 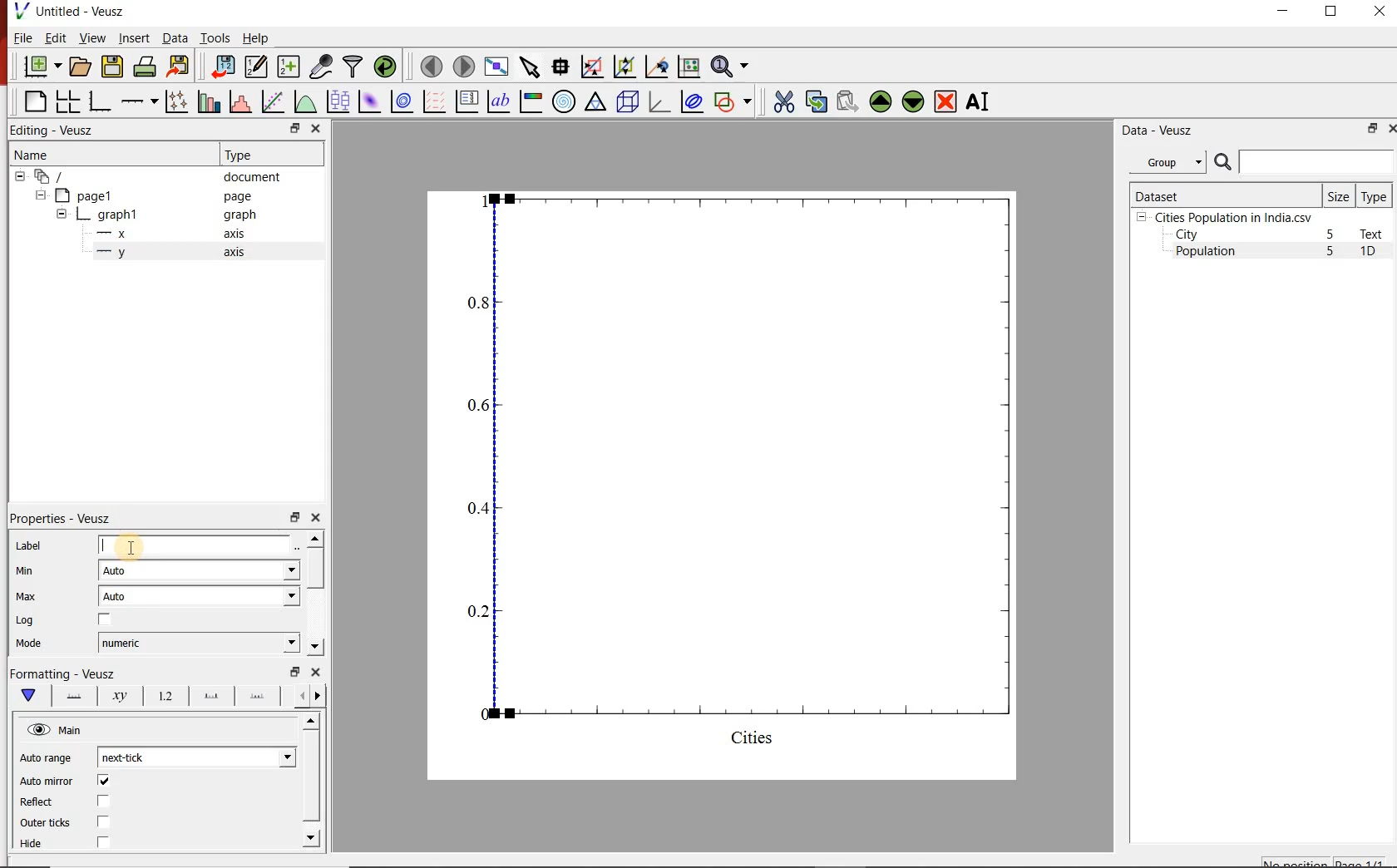 I want to click on edit and enter new datasets, so click(x=254, y=67).